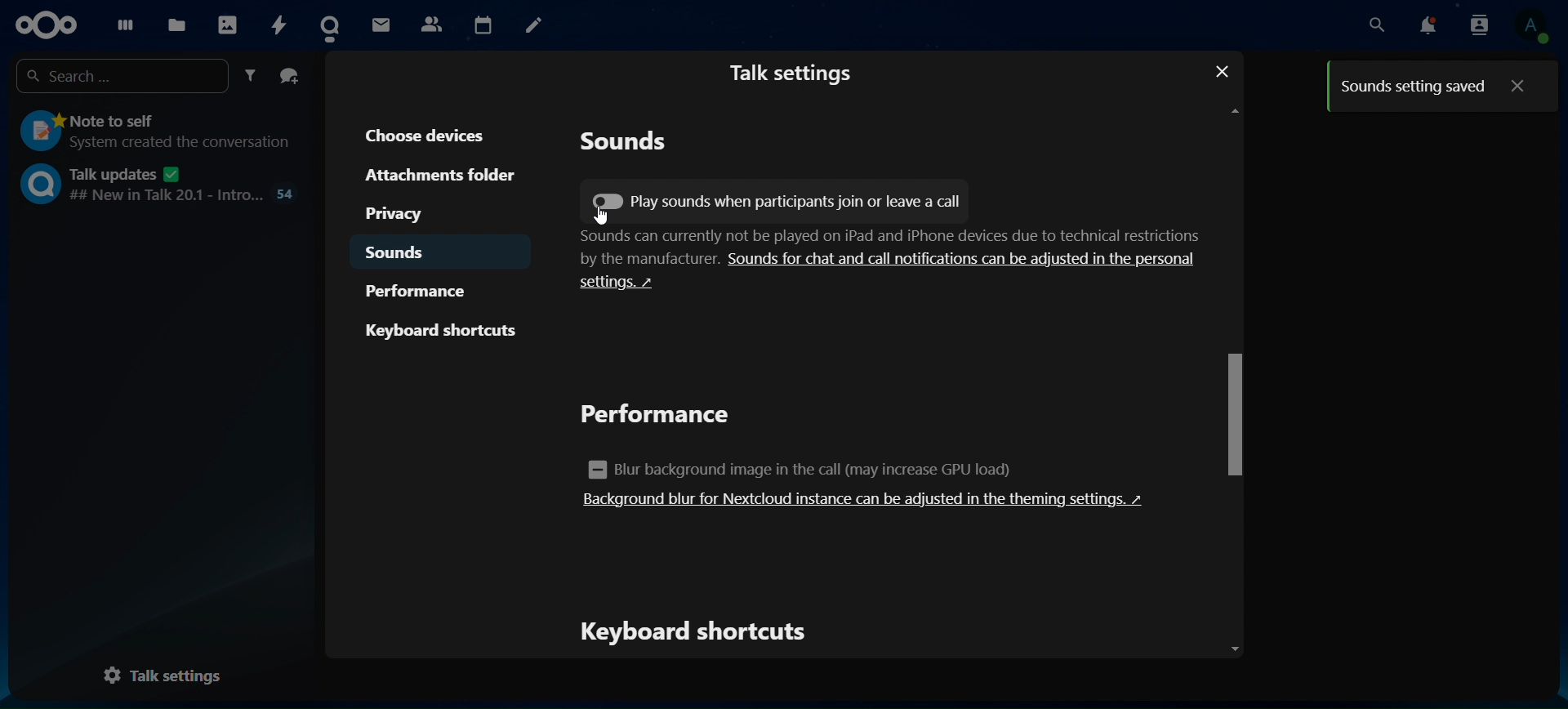 The image size is (1568, 709). I want to click on Sounds for chat and call notifications can be adjusted in the personal, so click(965, 259).